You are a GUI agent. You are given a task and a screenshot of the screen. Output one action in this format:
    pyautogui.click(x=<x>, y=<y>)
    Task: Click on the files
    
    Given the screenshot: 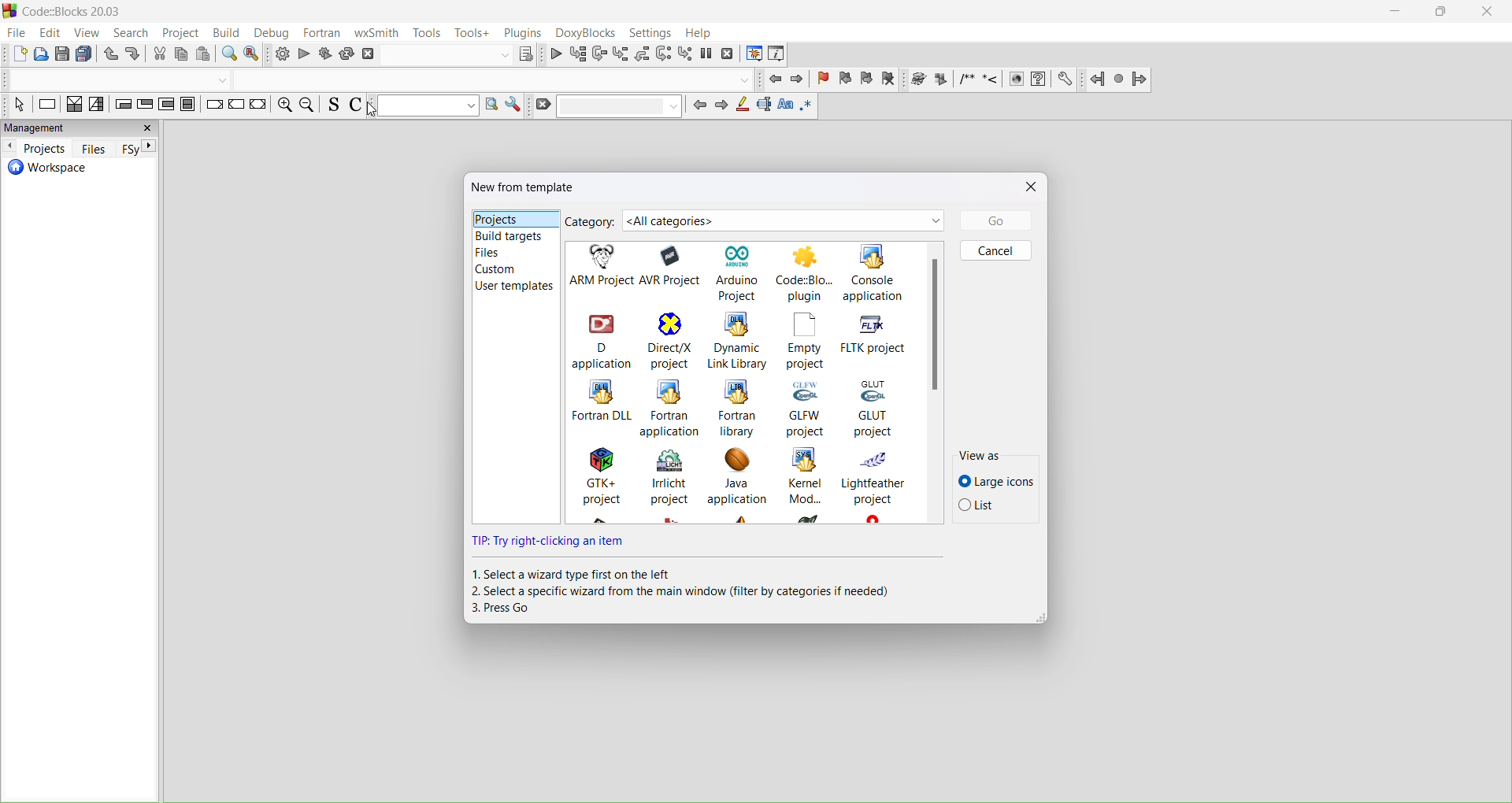 What is the action you would take?
    pyautogui.click(x=513, y=253)
    